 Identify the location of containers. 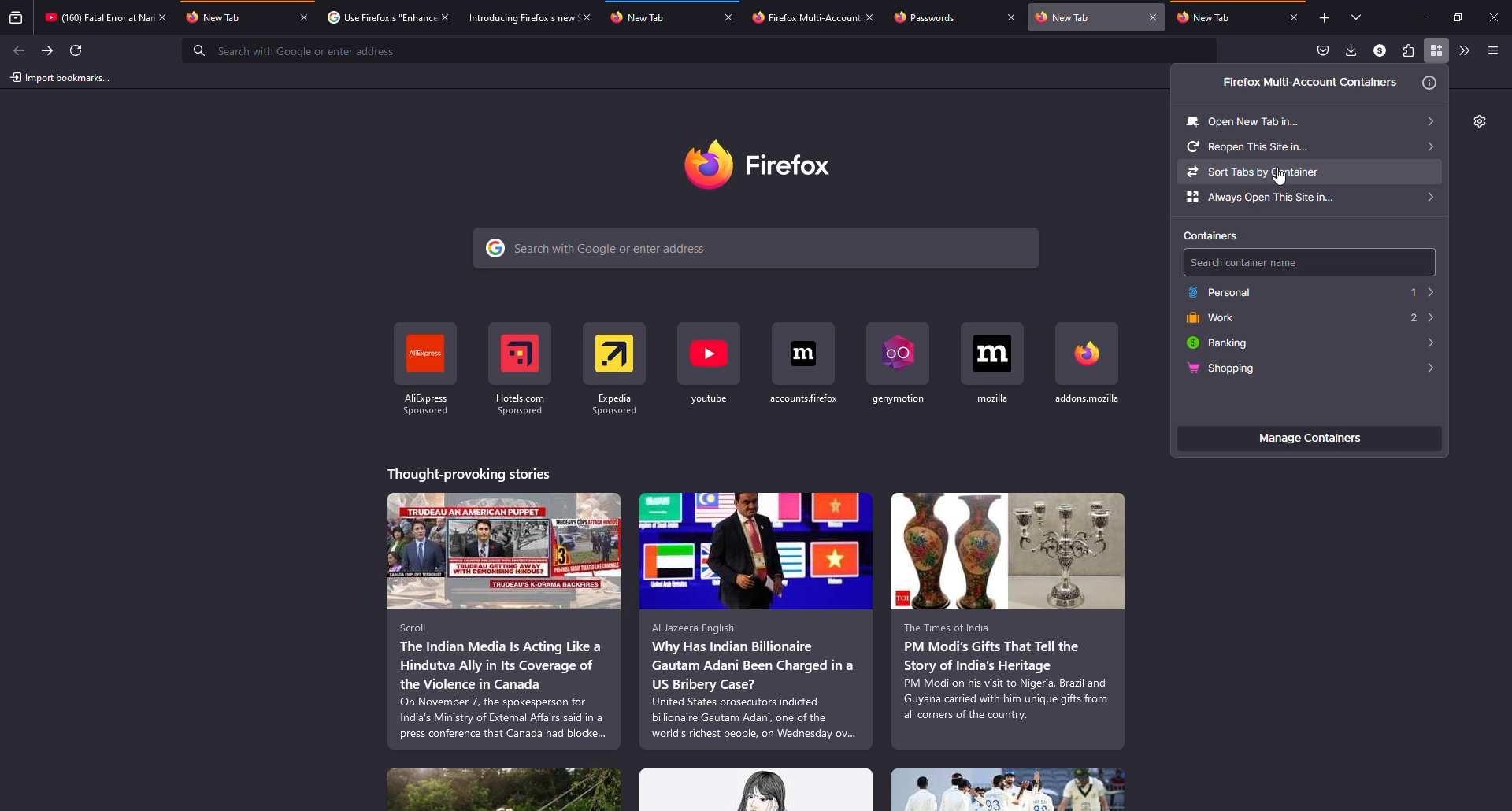
(1299, 83).